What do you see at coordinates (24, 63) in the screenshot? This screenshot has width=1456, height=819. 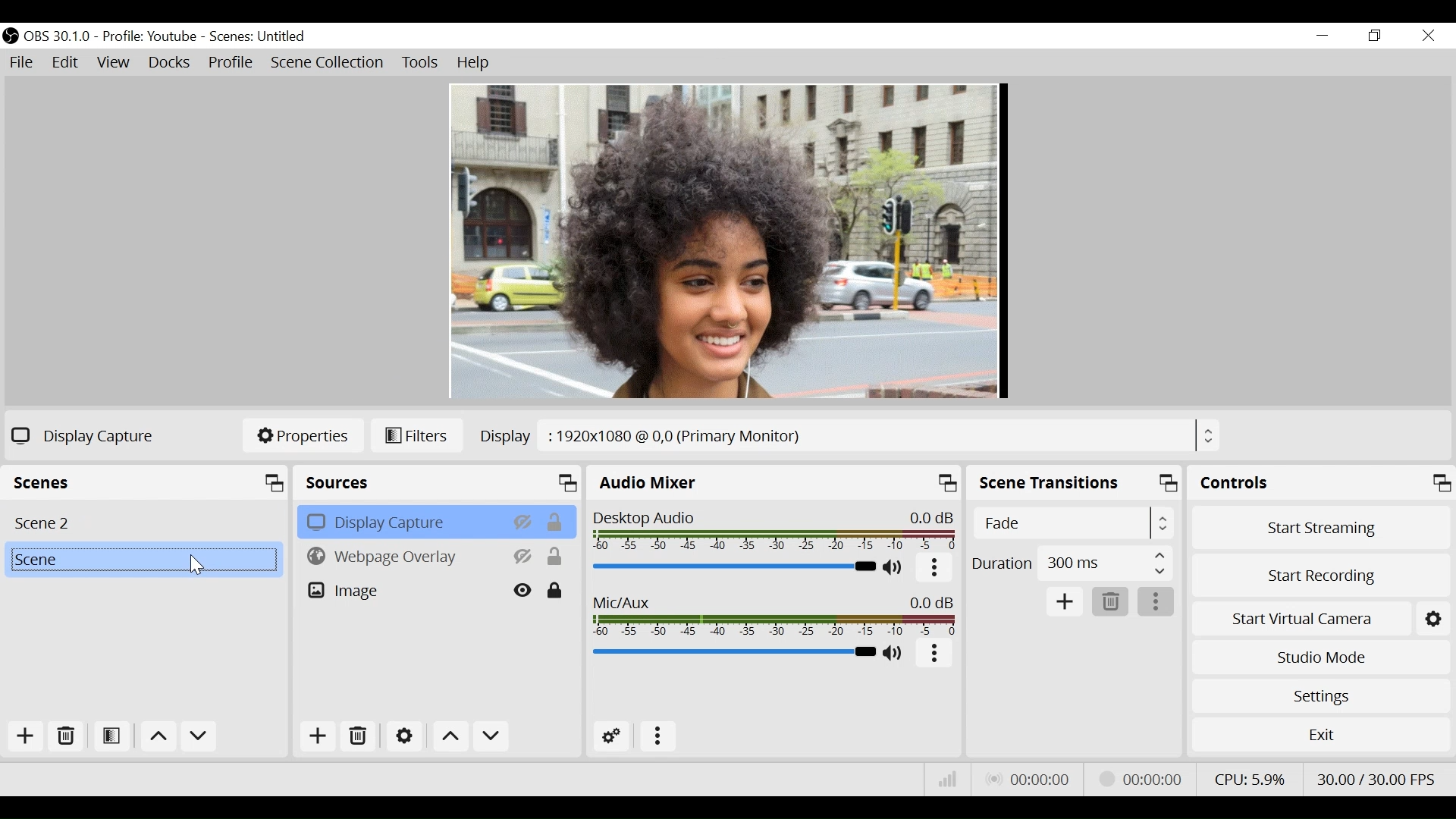 I see `File` at bounding box center [24, 63].